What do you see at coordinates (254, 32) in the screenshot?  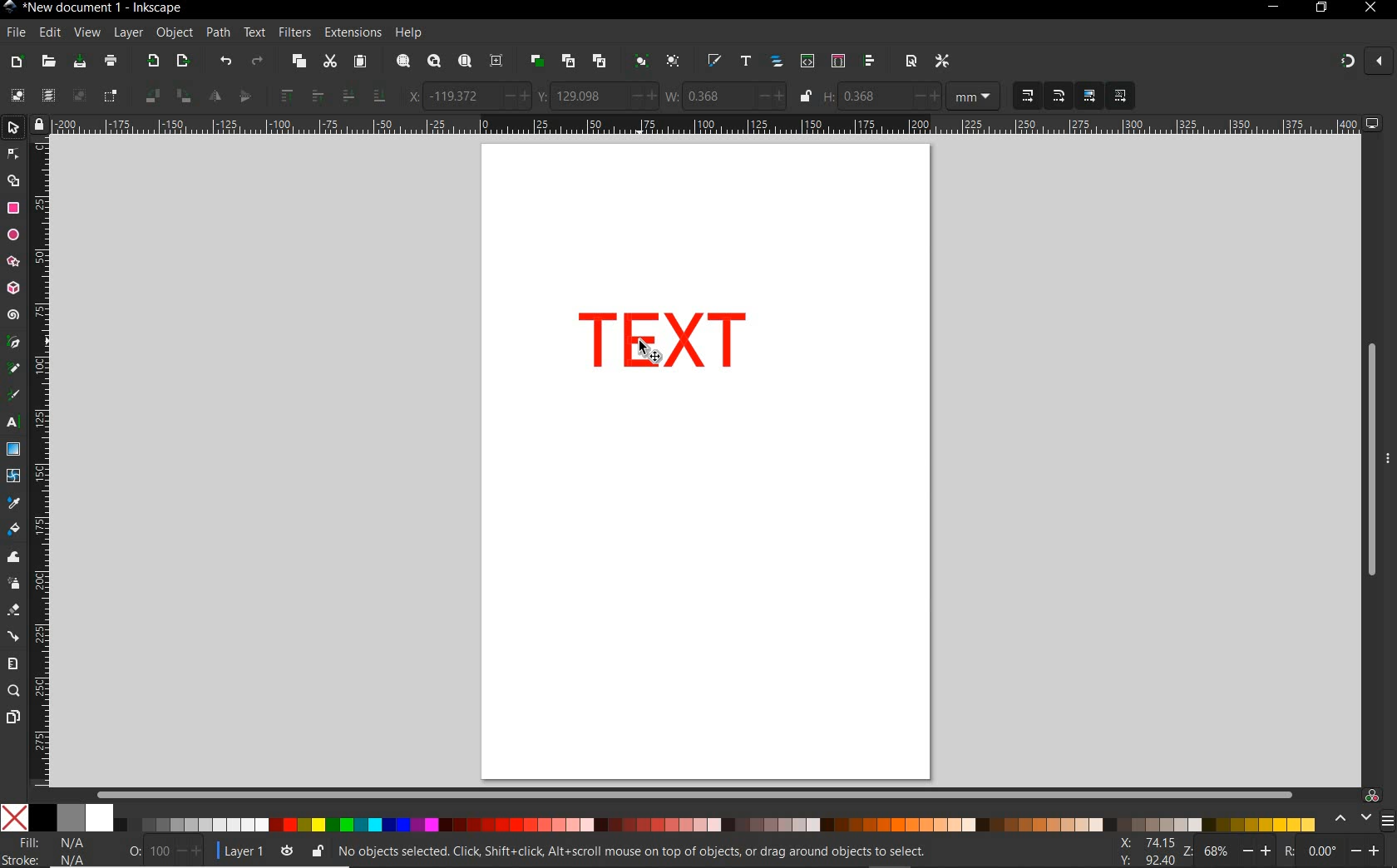 I see `TEXT` at bounding box center [254, 32].